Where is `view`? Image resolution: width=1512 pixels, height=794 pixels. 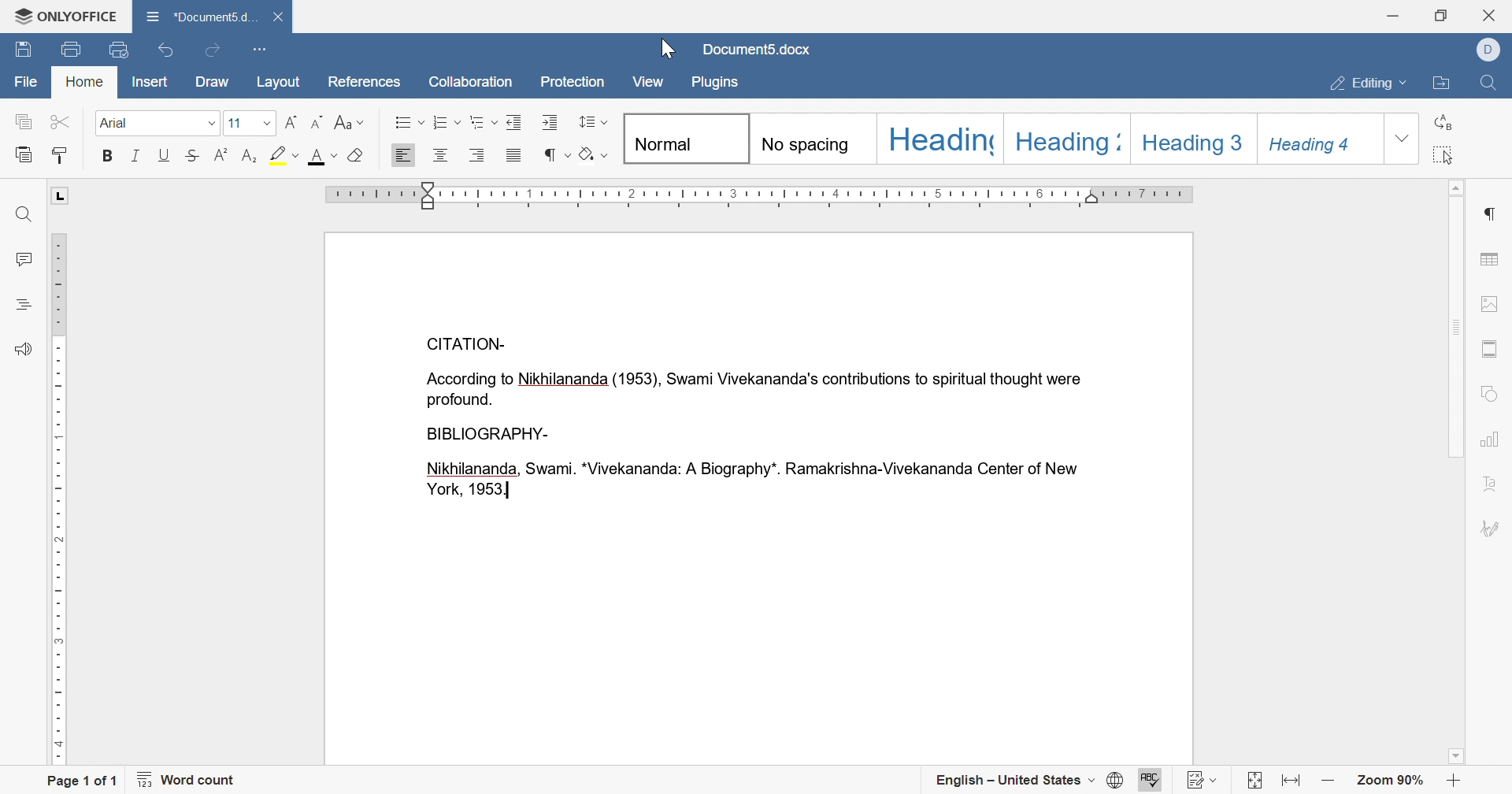 view is located at coordinates (646, 80).